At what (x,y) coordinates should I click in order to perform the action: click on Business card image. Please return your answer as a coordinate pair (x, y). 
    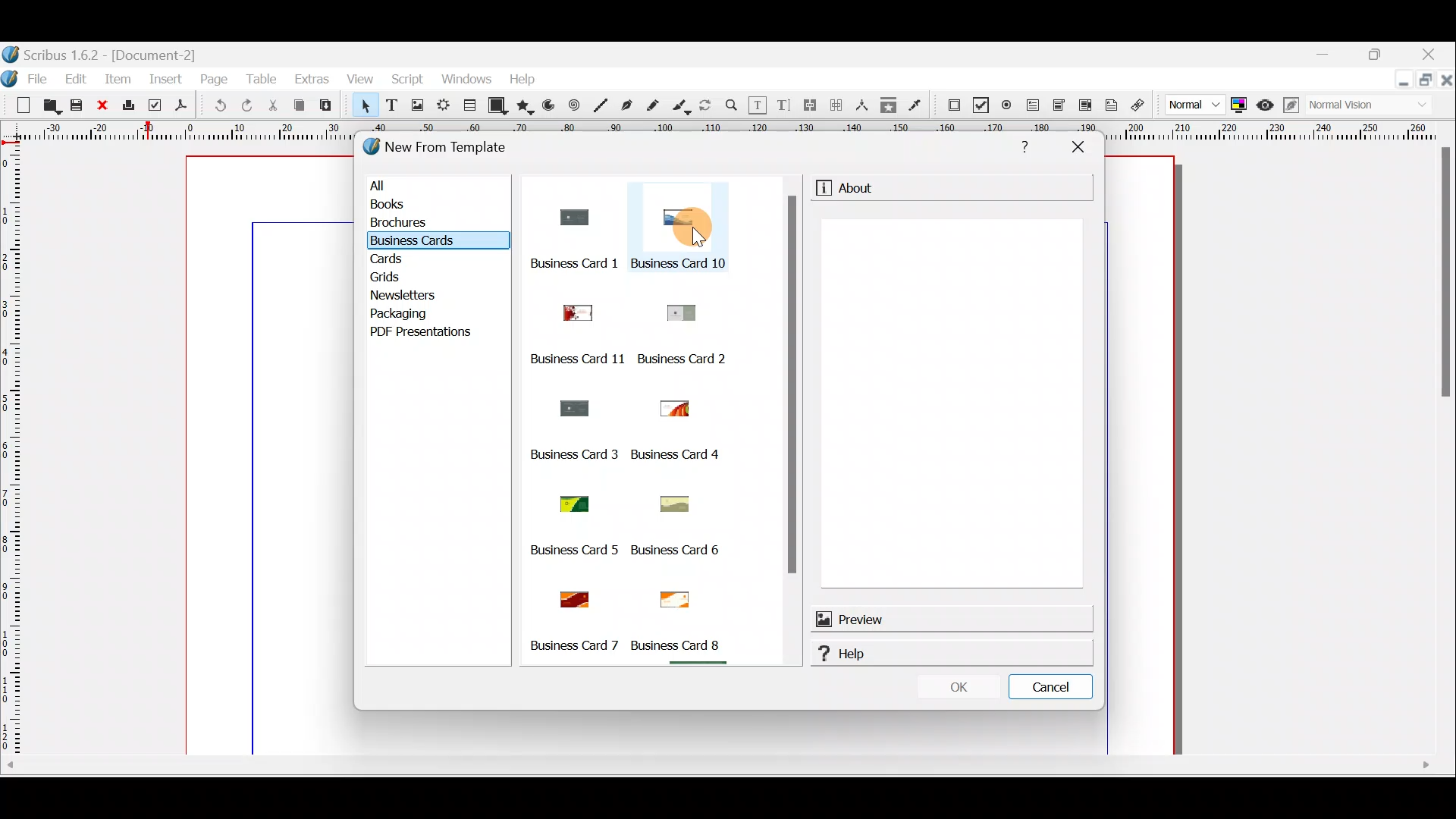
    Looking at the image, I should click on (681, 311).